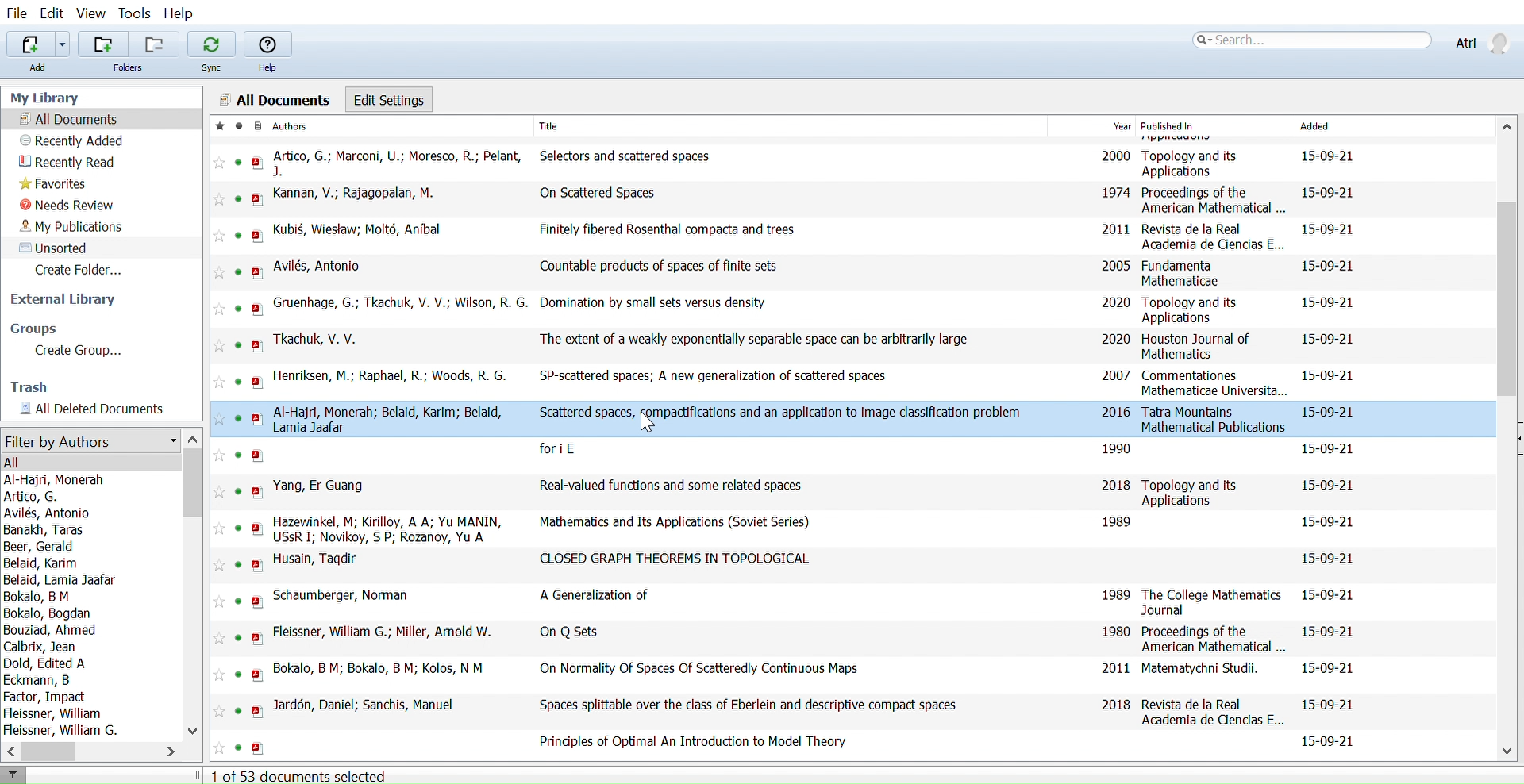  What do you see at coordinates (52, 513) in the screenshot?
I see `Aviles, Antonio` at bounding box center [52, 513].